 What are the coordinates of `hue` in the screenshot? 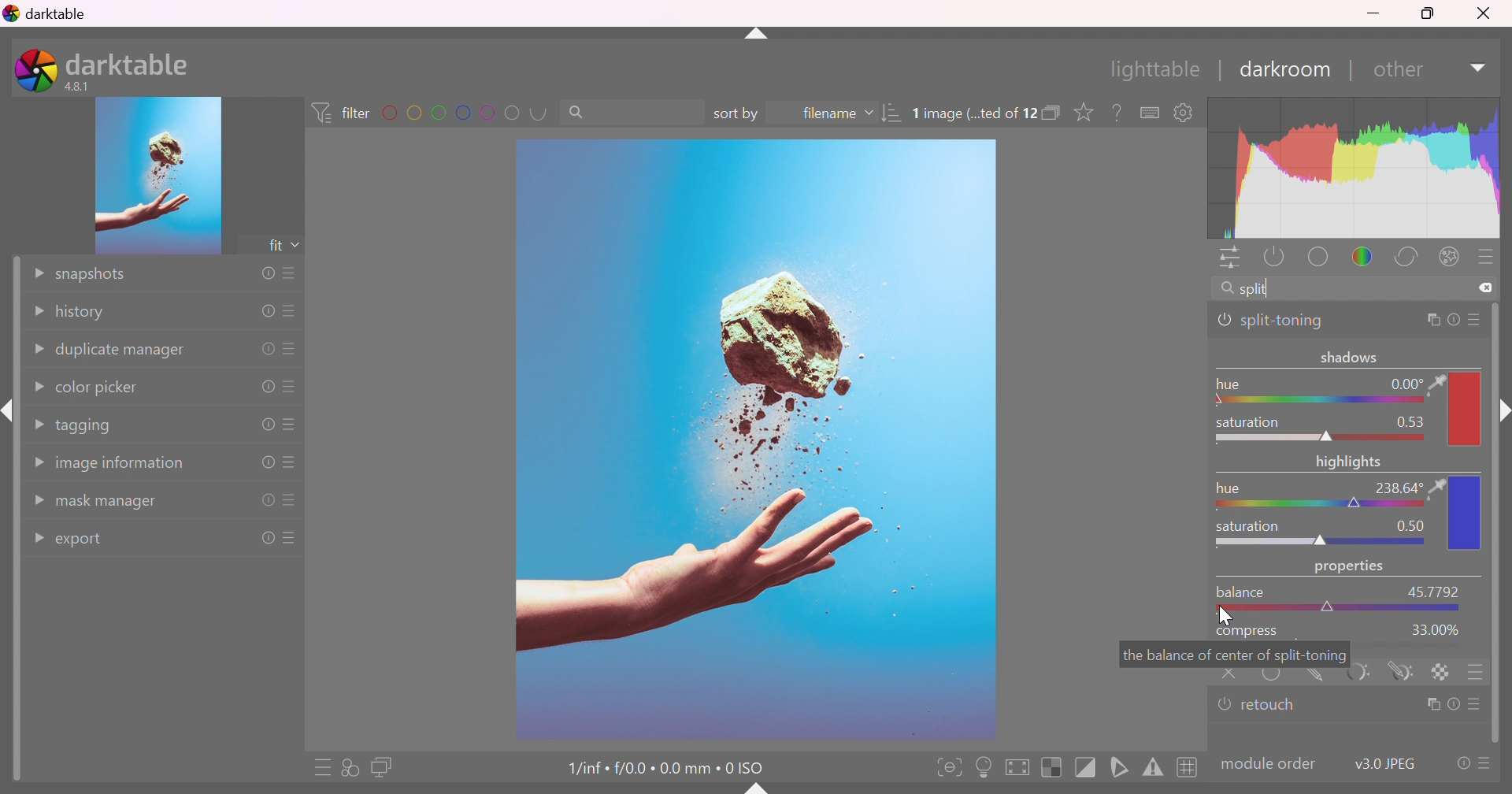 It's located at (1228, 488).